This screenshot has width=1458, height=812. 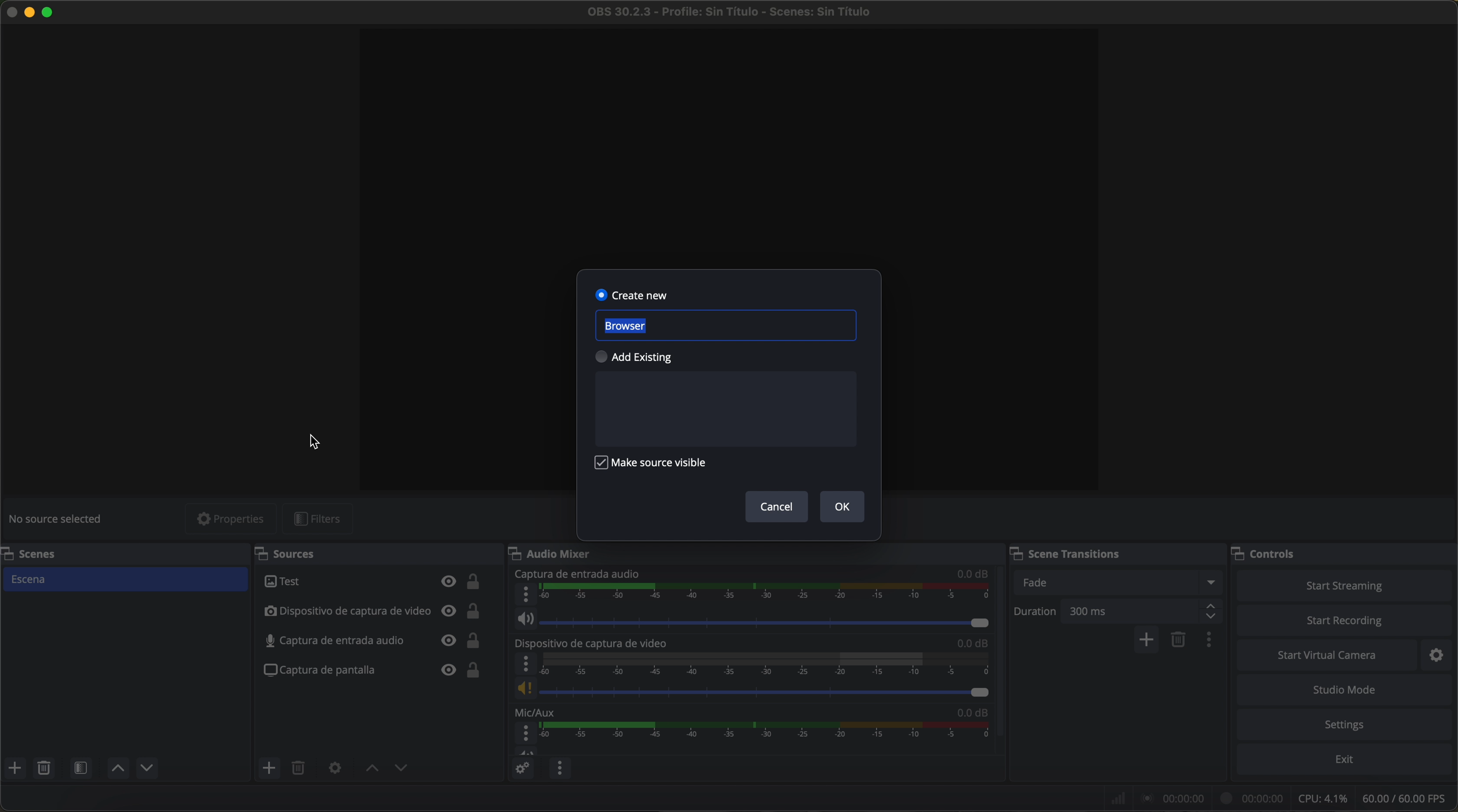 I want to click on filters, so click(x=318, y=519).